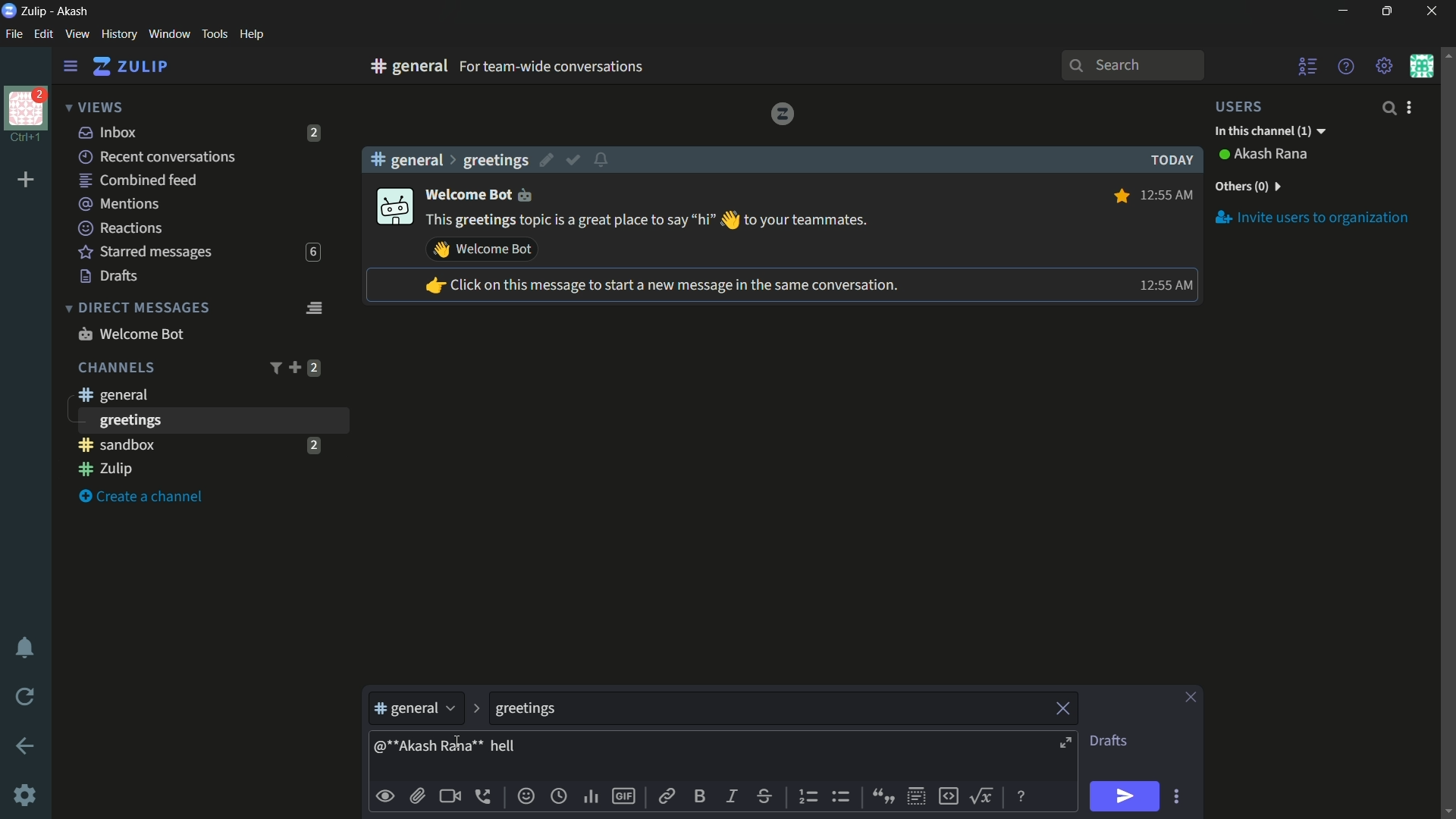  Describe the element at coordinates (765, 798) in the screenshot. I see `strikethrough` at that location.